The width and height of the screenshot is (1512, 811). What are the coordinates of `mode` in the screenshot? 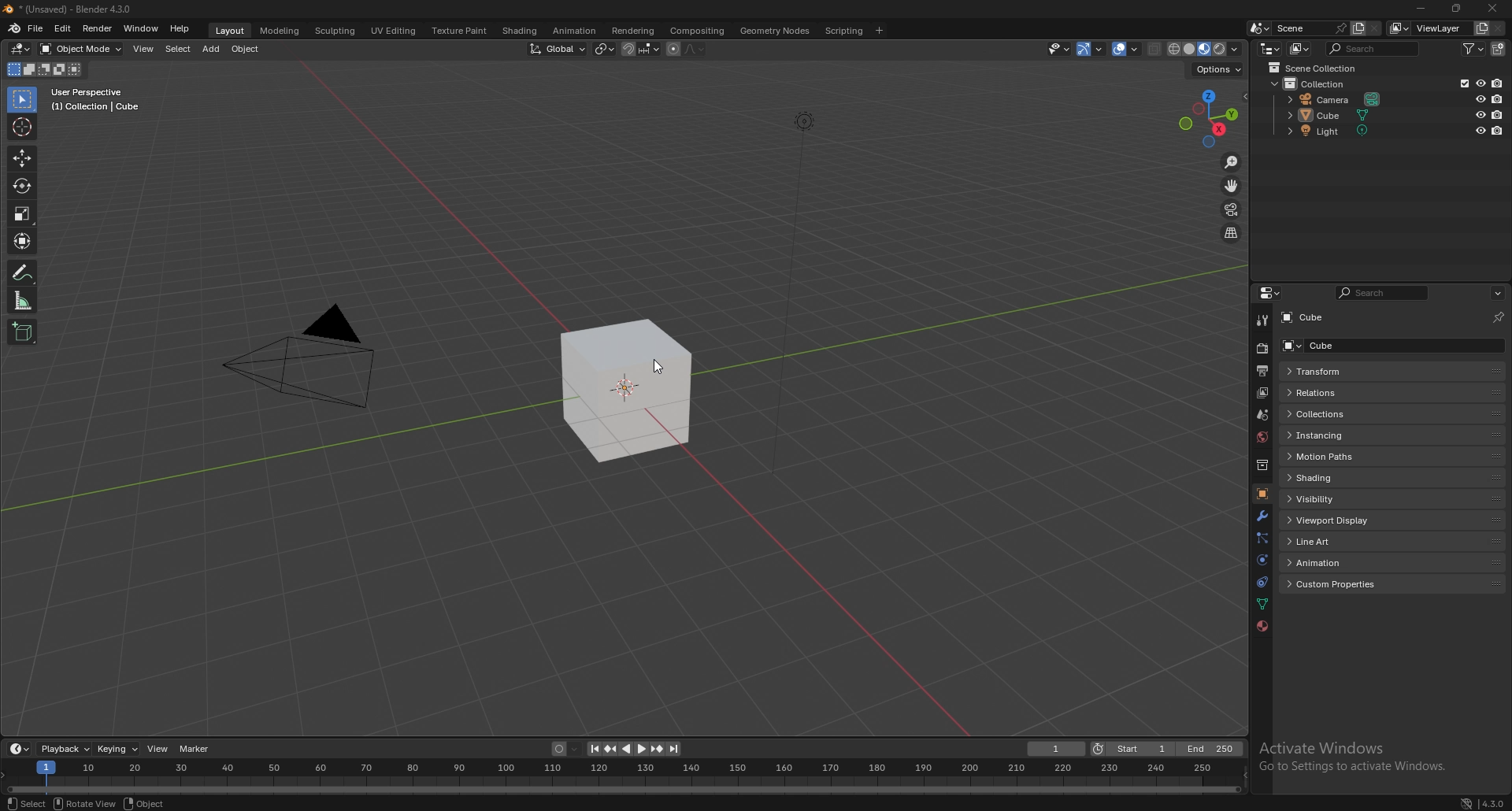 It's located at (45, 69).